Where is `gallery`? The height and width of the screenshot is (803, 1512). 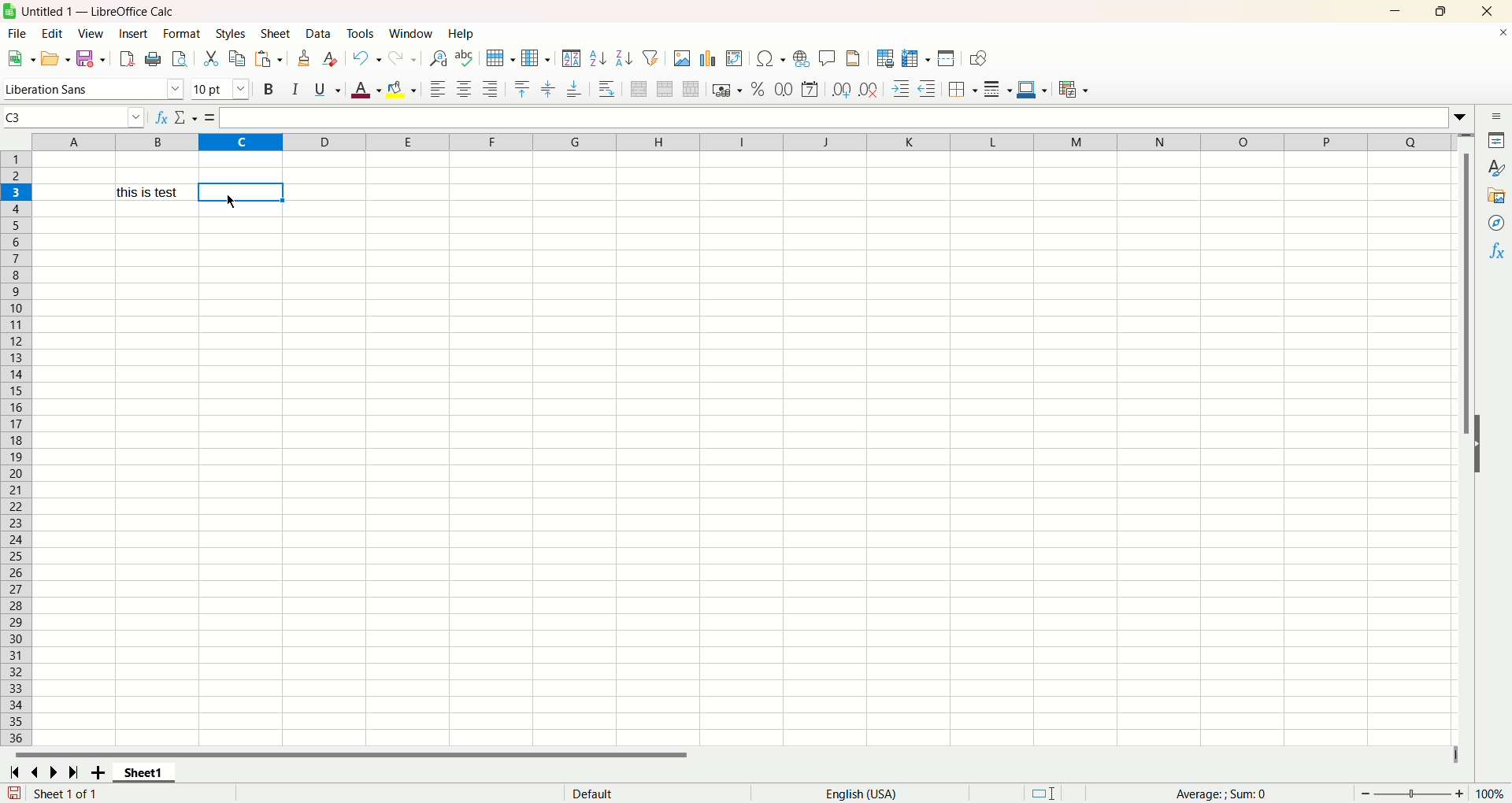
gallery is located at coordinates (1497, 194).